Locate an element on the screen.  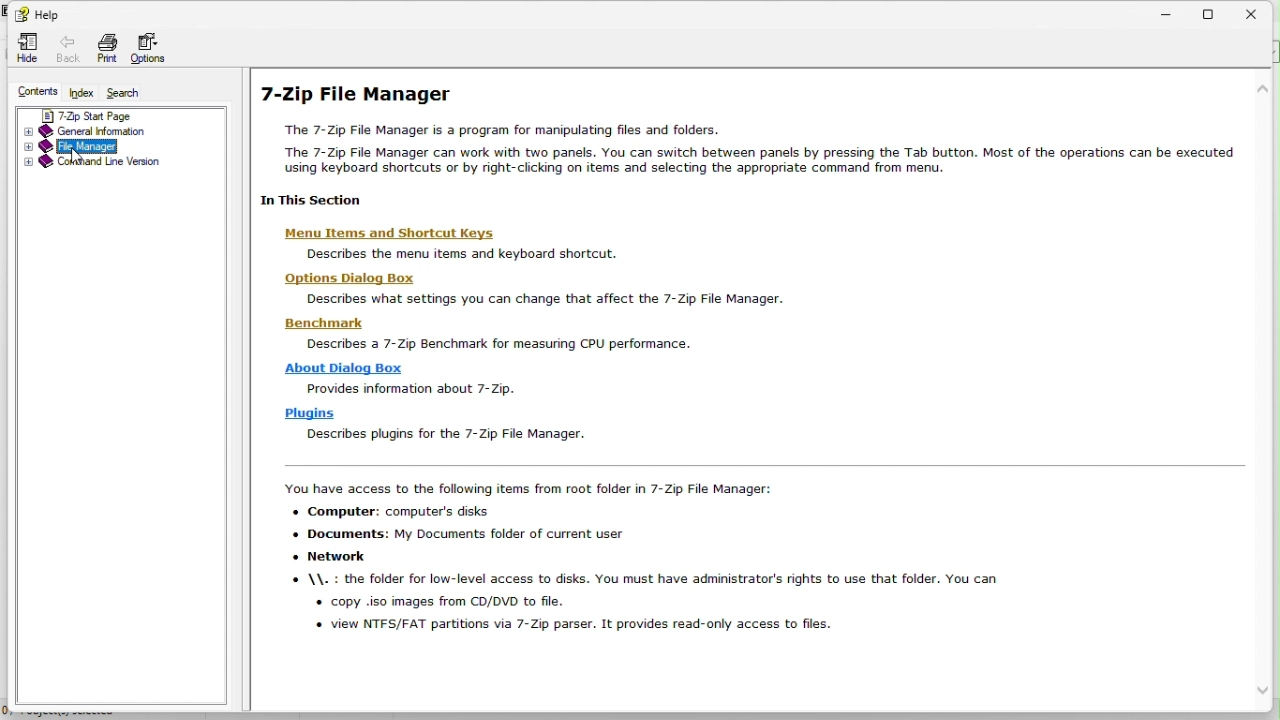
cursor is located at coordinates (77, 157).